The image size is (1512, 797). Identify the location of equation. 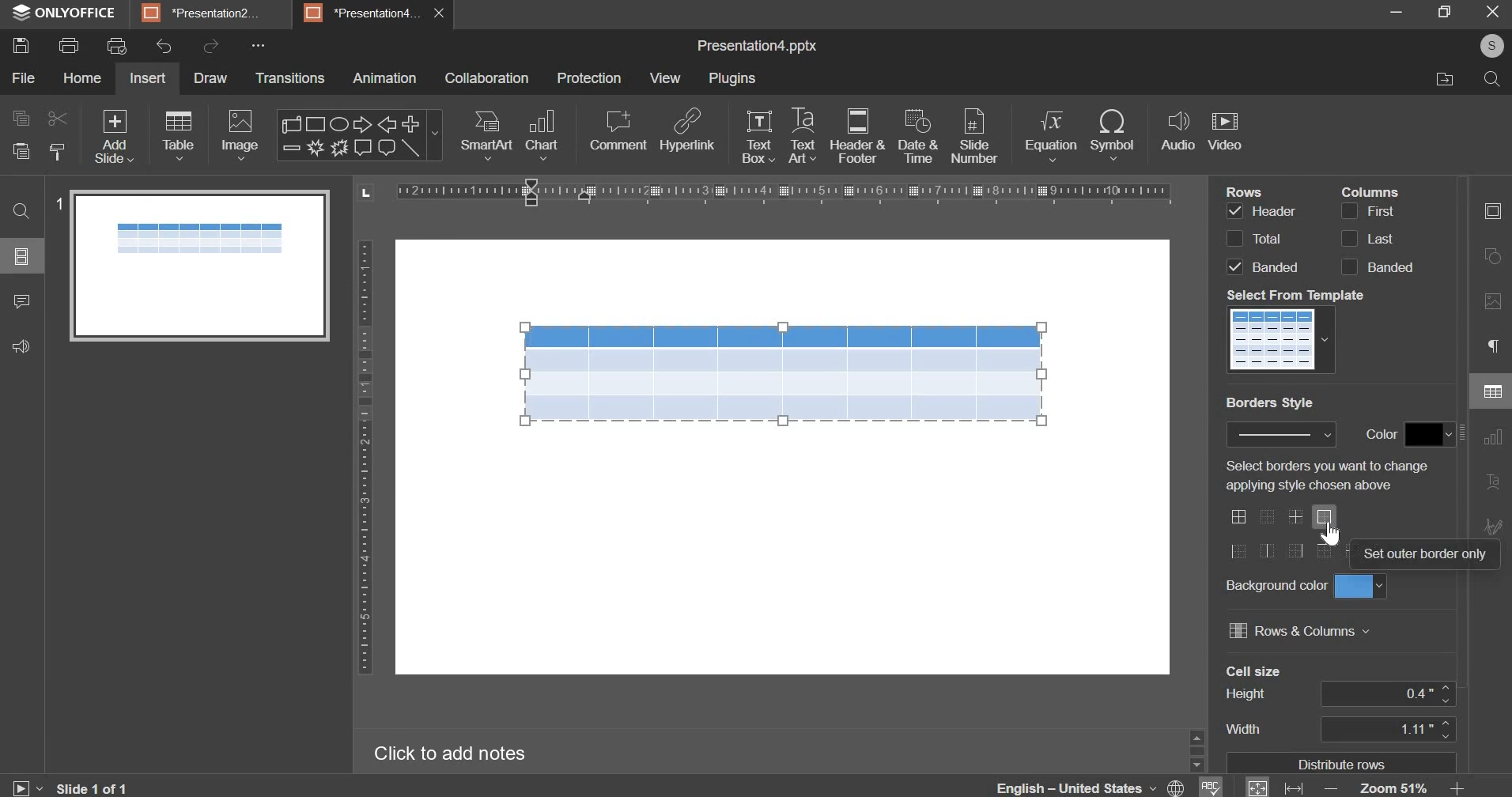
(1050, 135).